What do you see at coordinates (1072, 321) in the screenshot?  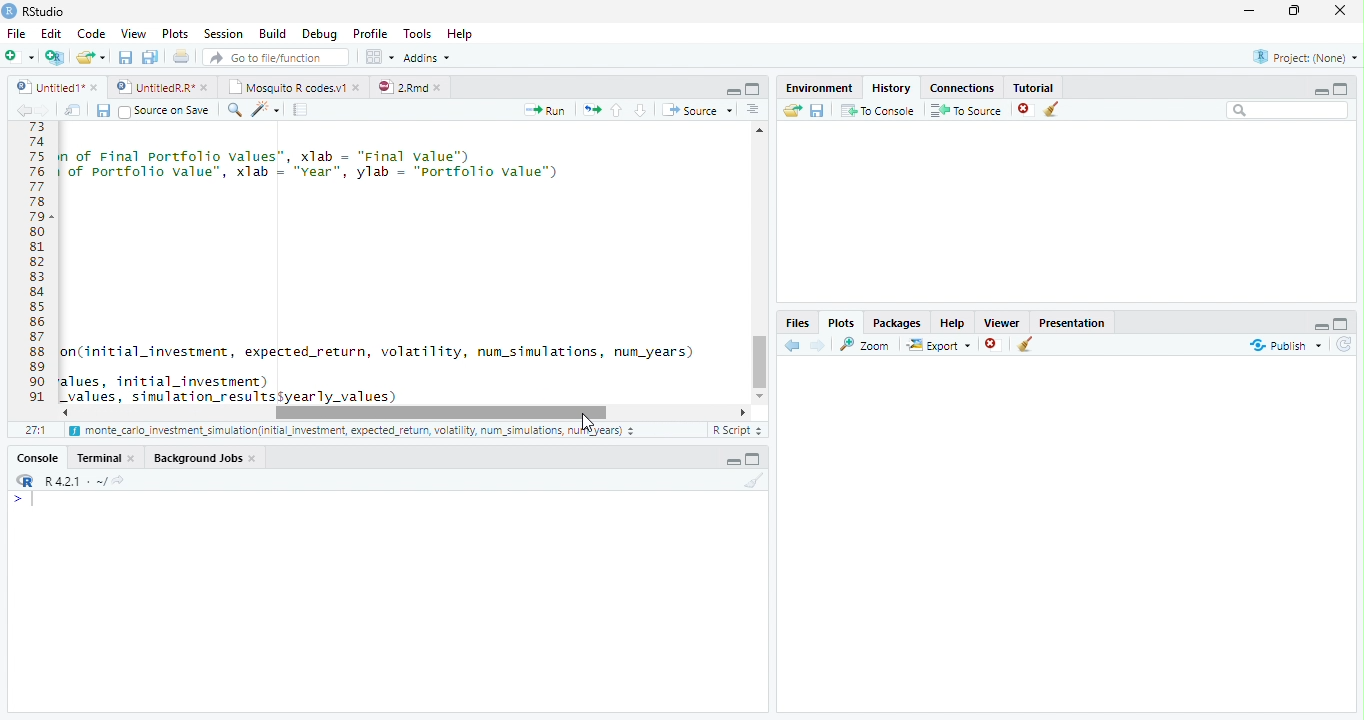 I see `Presentation` at bounding box center [1072, 321].